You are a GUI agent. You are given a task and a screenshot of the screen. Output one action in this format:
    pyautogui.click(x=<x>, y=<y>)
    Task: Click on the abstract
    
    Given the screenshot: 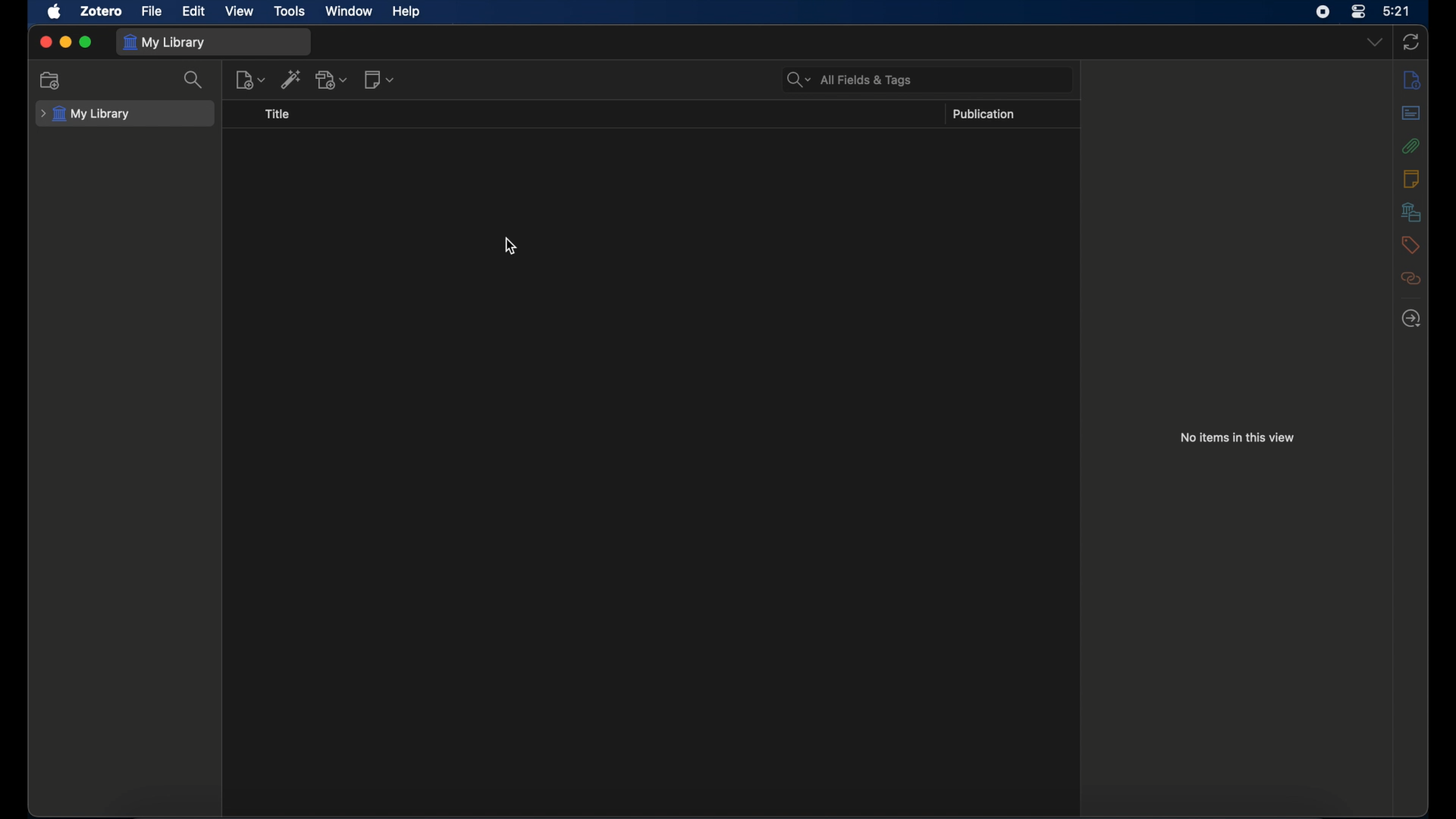 What is the action you would take?
    pyautogui.click(x=1410, y=112)
    